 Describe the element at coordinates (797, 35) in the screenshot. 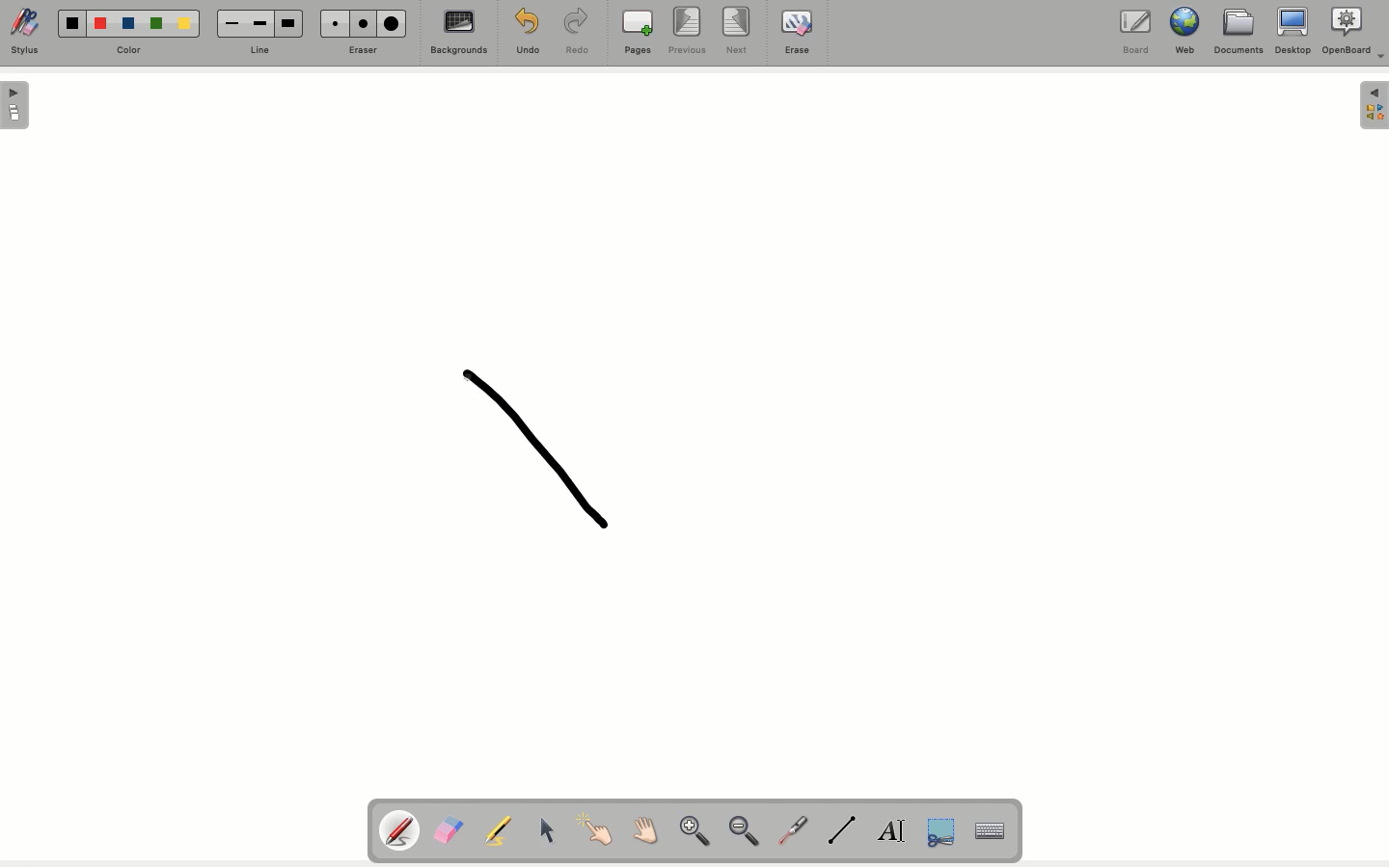

I see `Erase` at that location.